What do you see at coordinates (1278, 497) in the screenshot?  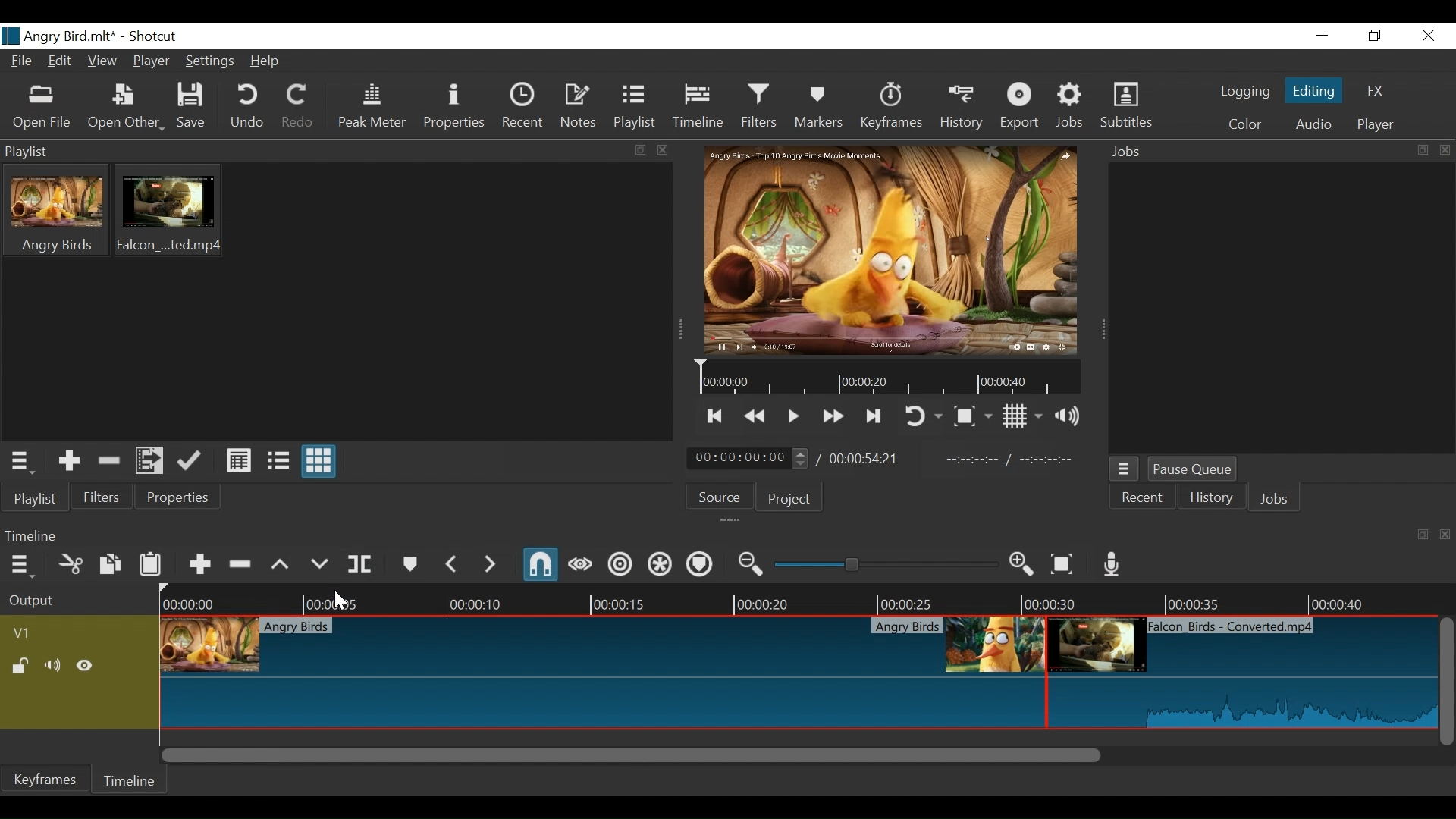 I see `Jobs` at bounding box center [1278, 497].